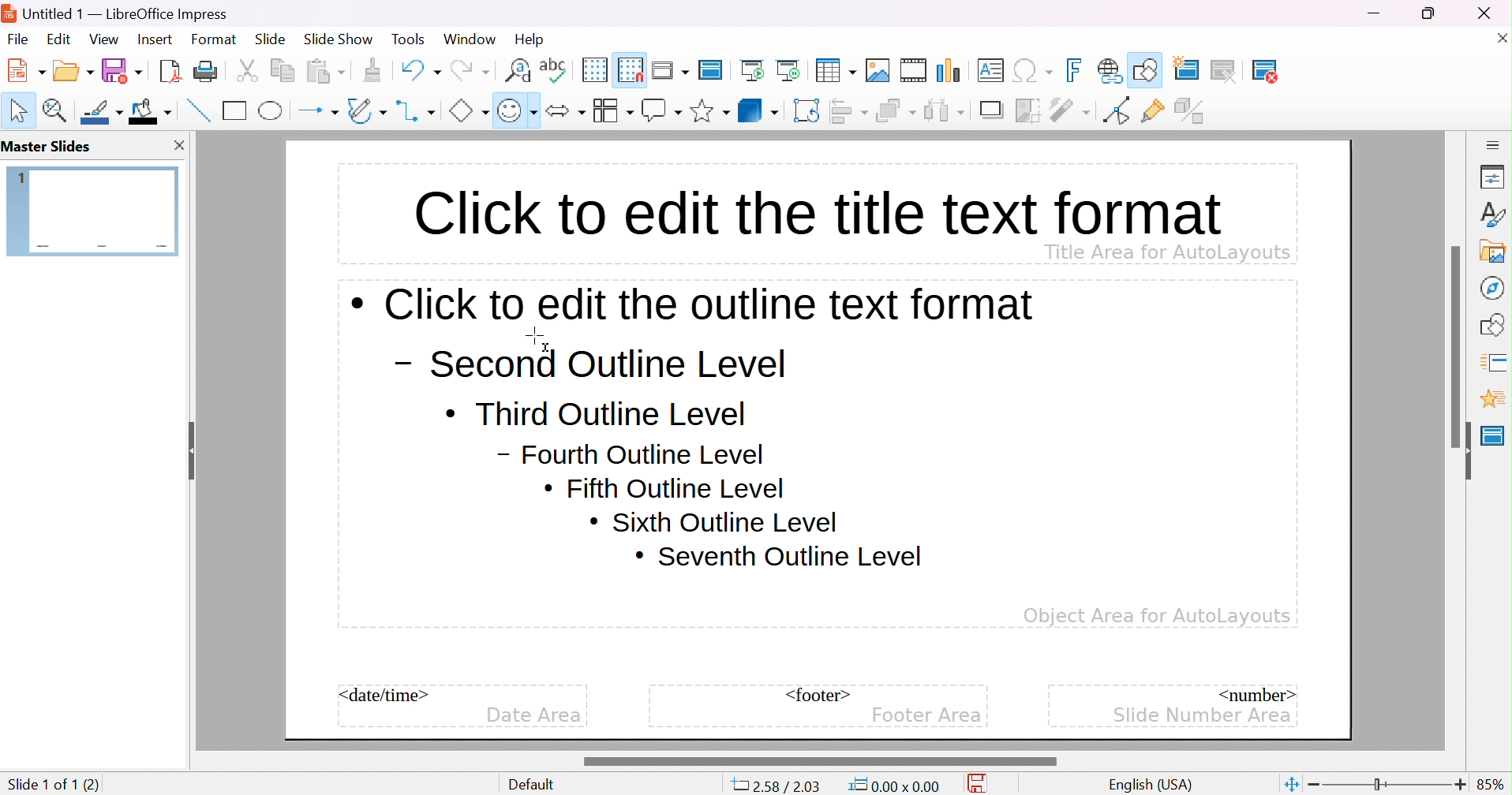  Describe the element at coordinates (631, 68) in the screenshot. I see `snap to grid` at that location.